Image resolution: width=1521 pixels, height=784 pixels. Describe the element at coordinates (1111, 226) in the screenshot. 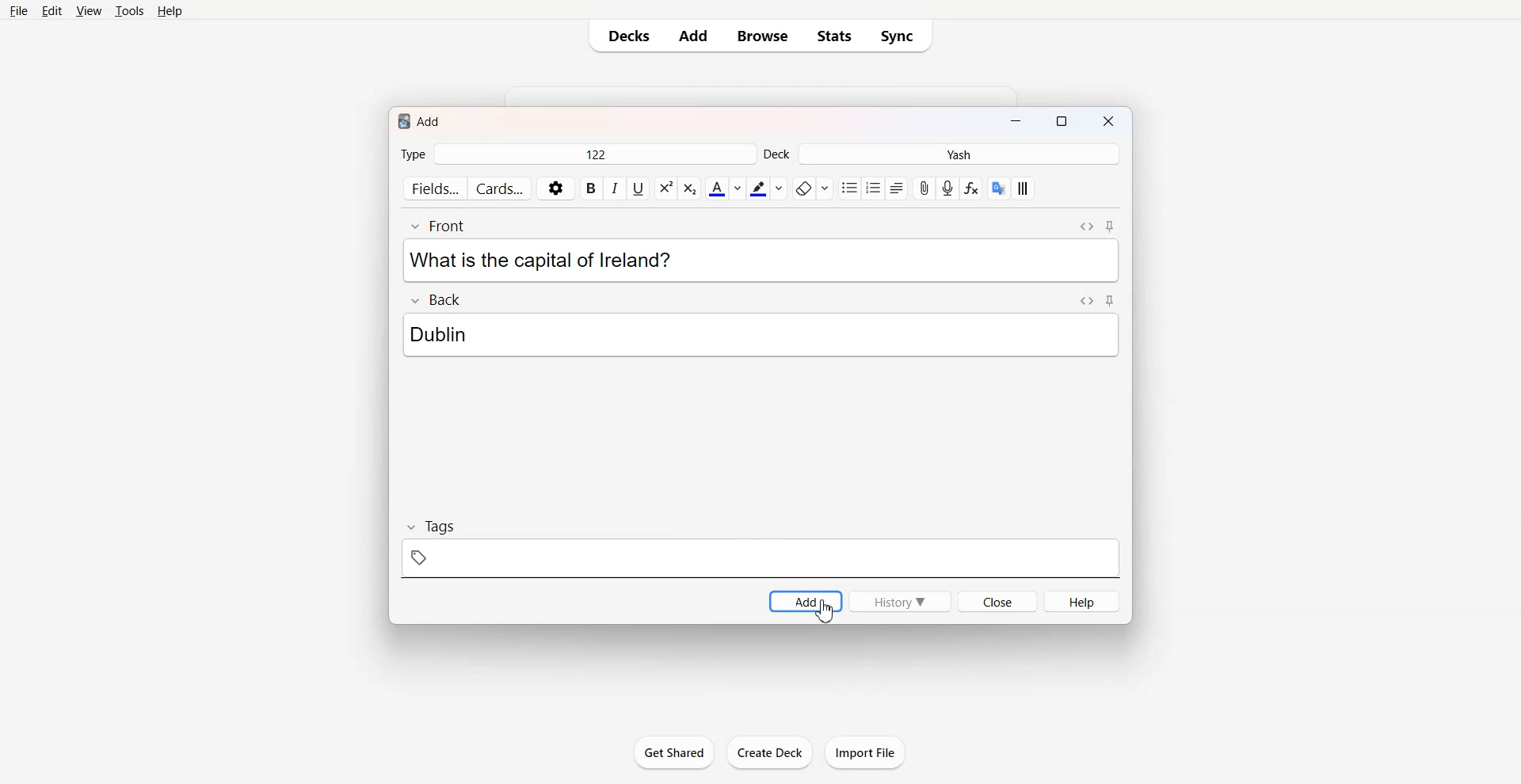

I see `Toggle Sticky` at that location.